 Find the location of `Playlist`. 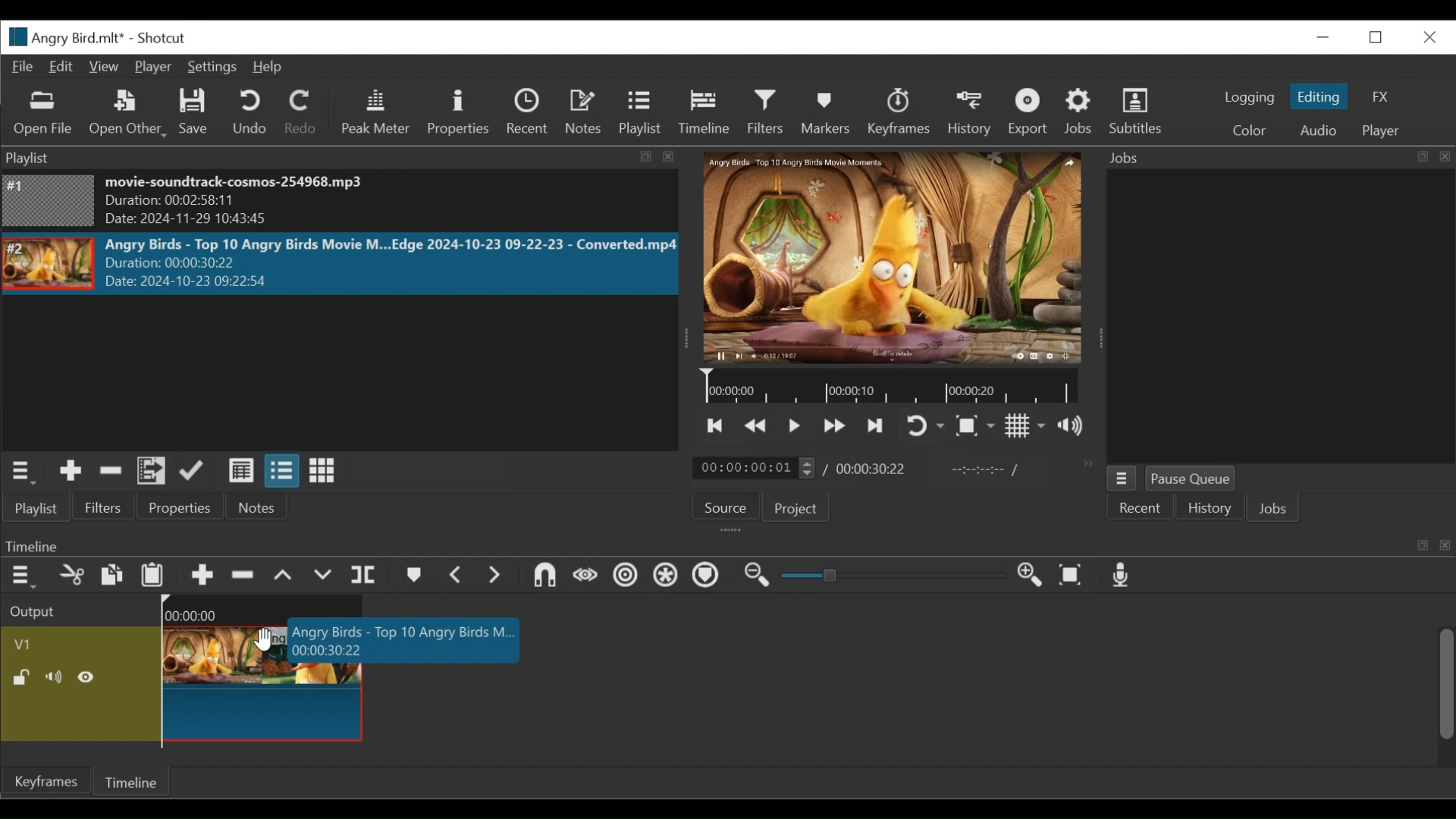

Playlist is located at coordinates (640, 114).